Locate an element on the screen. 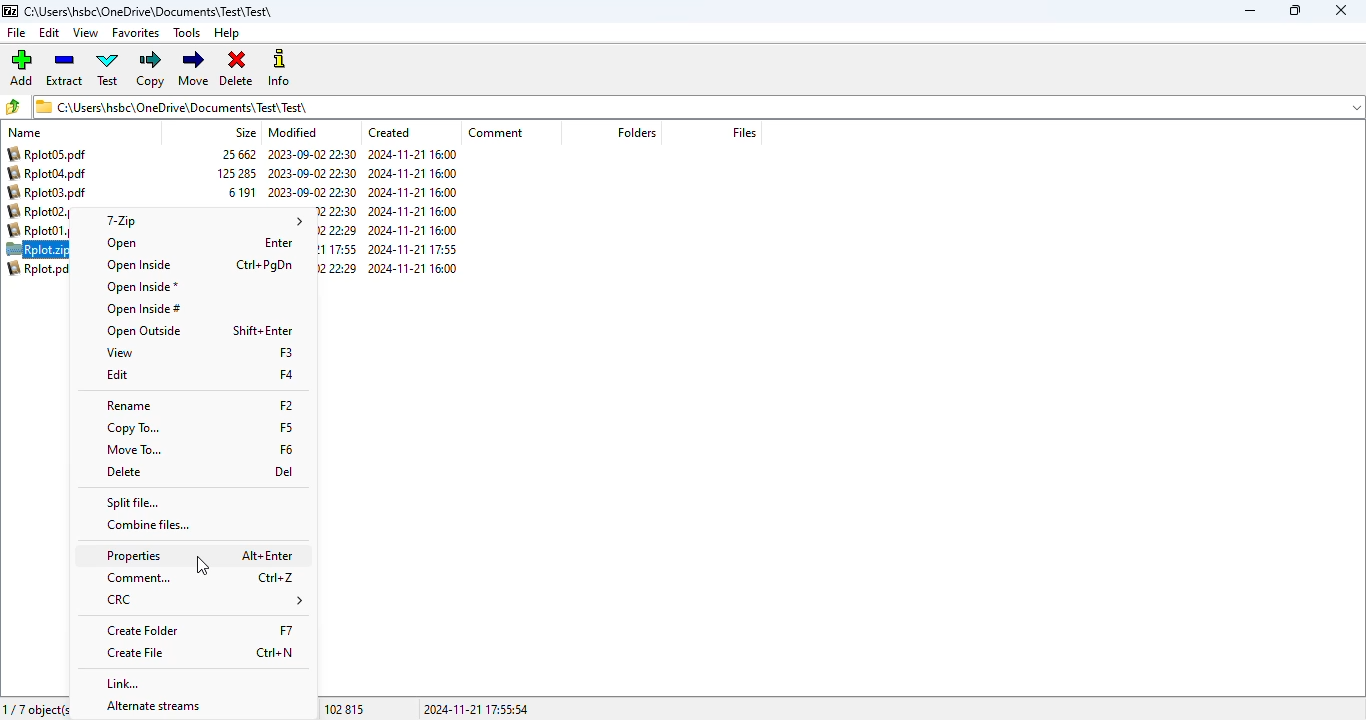 This screenshot has width=1366, height=720. CRC is located at coordinates (204, 600).